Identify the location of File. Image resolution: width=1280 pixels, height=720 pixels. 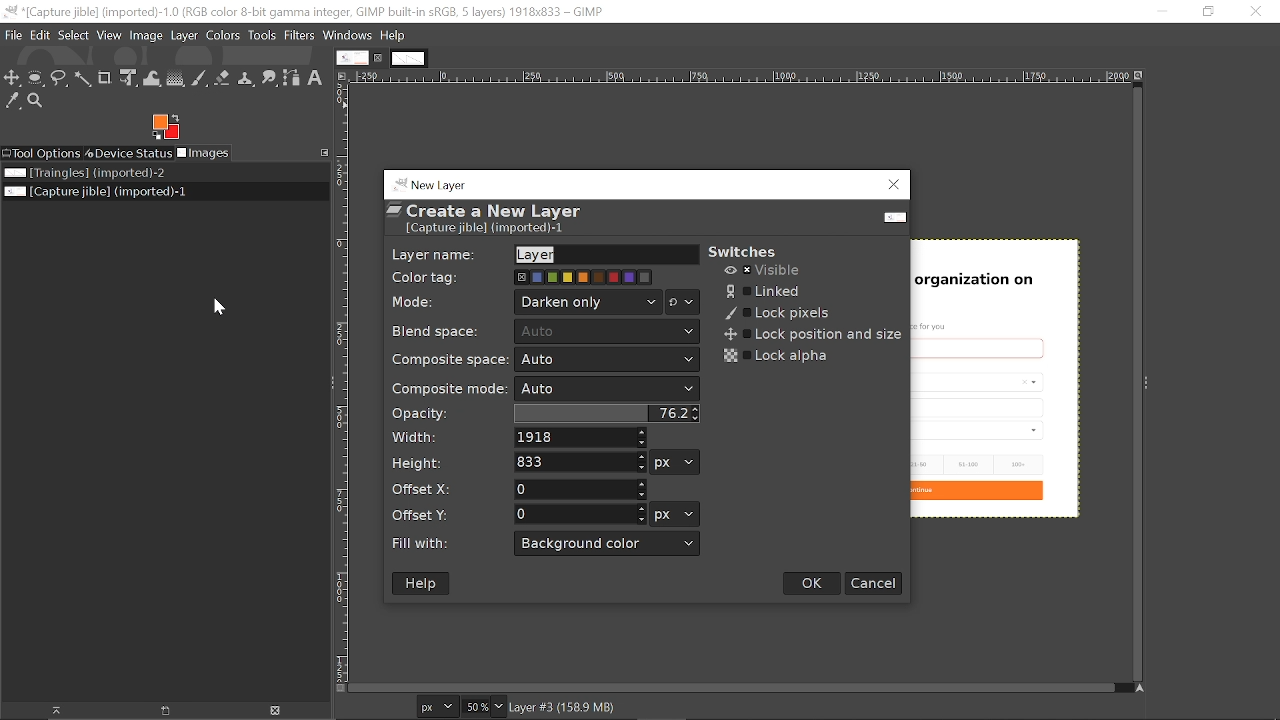
(11, 34).